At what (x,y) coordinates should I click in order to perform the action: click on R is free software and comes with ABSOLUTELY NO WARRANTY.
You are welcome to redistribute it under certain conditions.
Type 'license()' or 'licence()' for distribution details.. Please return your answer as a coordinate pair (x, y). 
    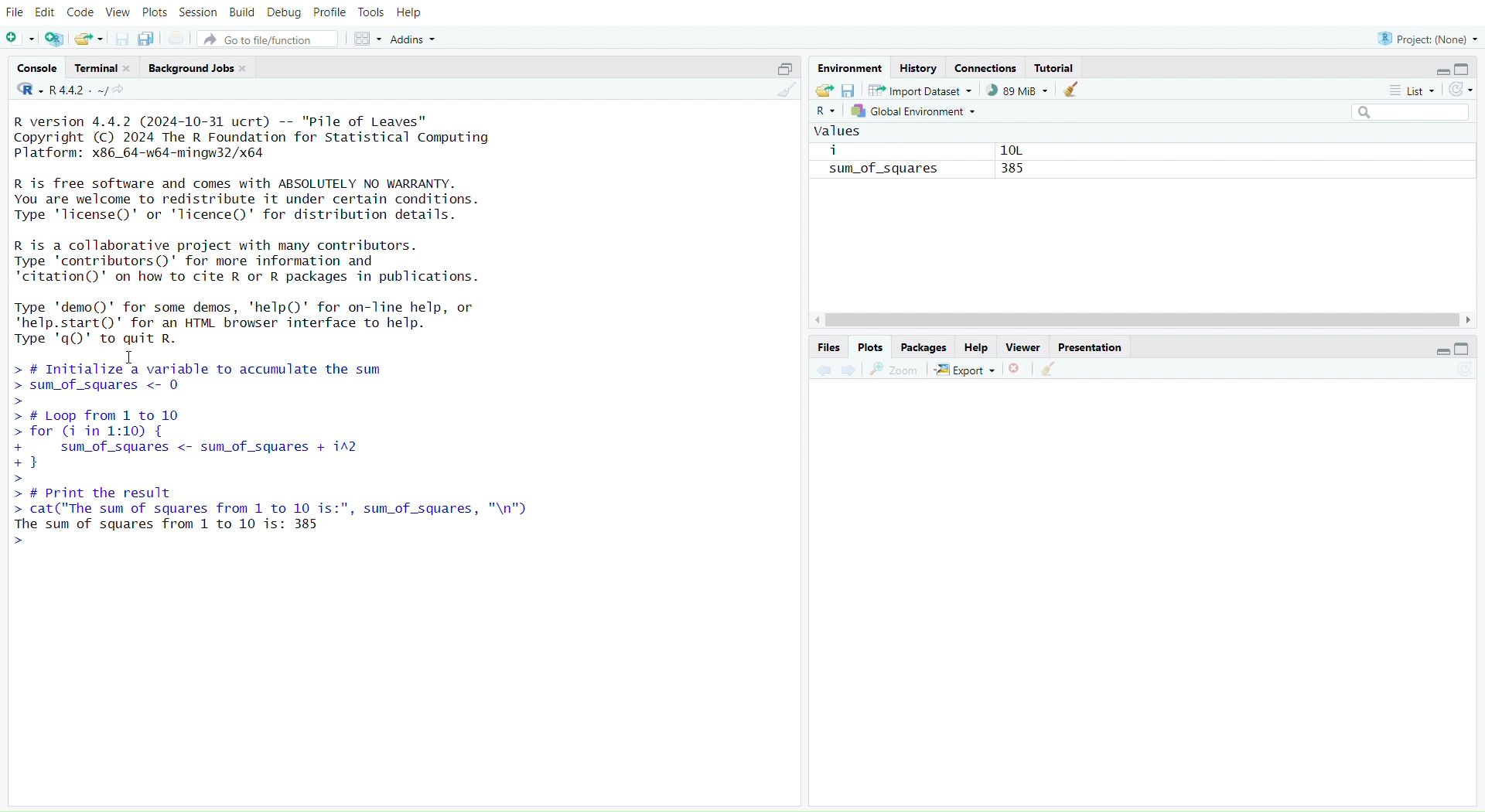
    Looking at the image, I should click on (257, 200).